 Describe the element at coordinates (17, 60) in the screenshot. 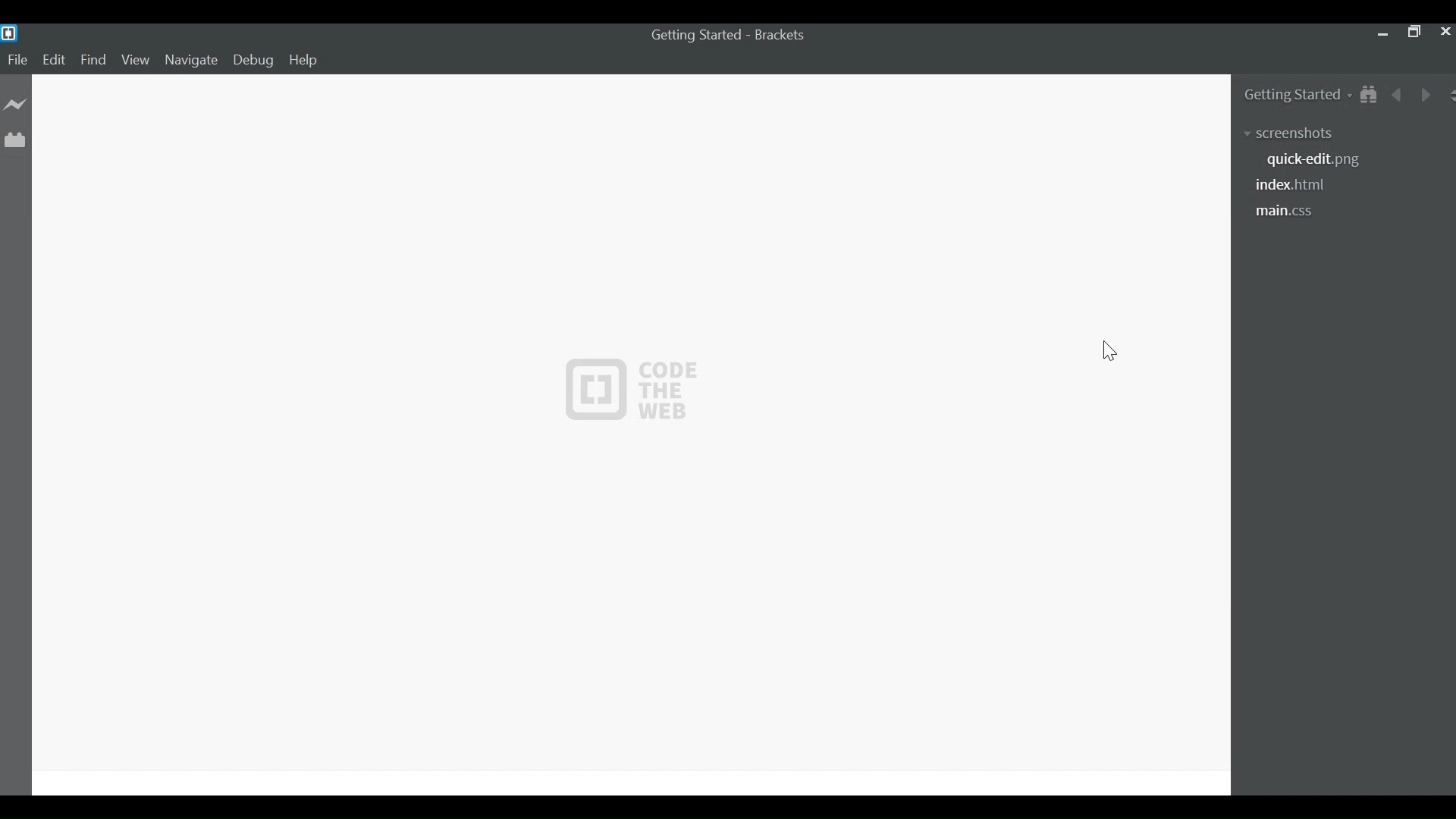

I see `File` at that location.